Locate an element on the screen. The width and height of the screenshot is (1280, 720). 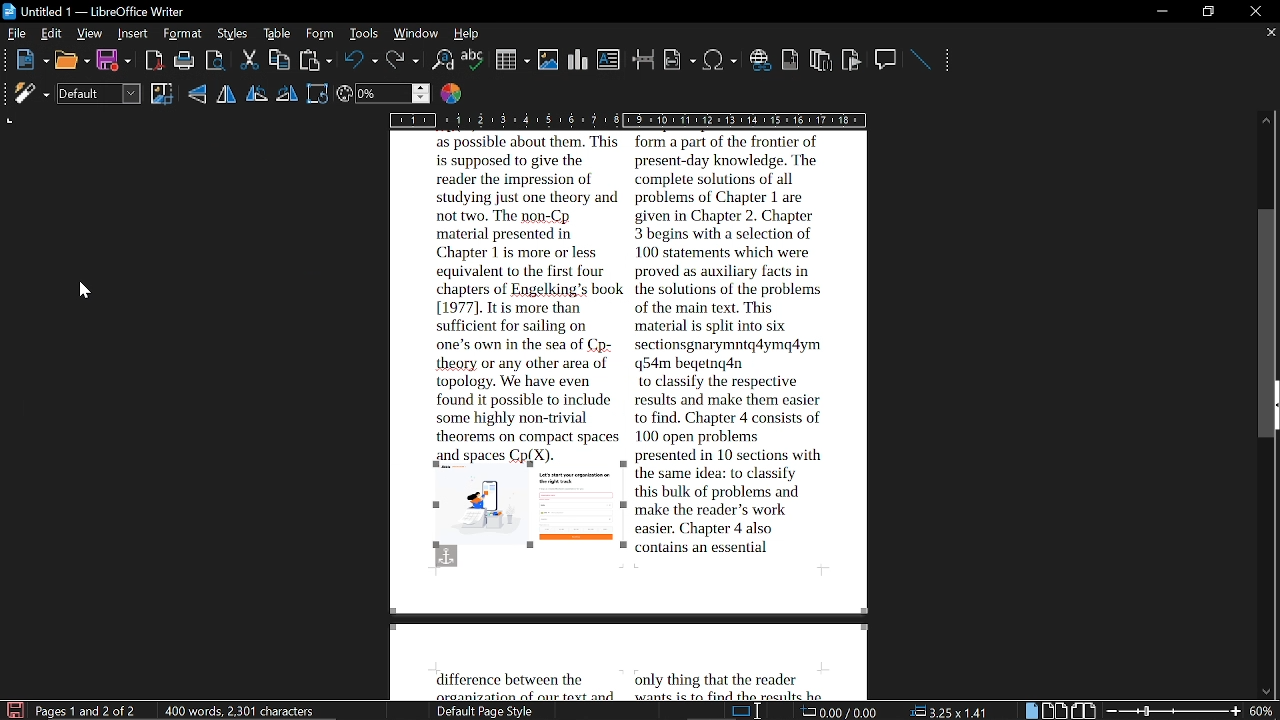
help is located at coordinates (467, 34).